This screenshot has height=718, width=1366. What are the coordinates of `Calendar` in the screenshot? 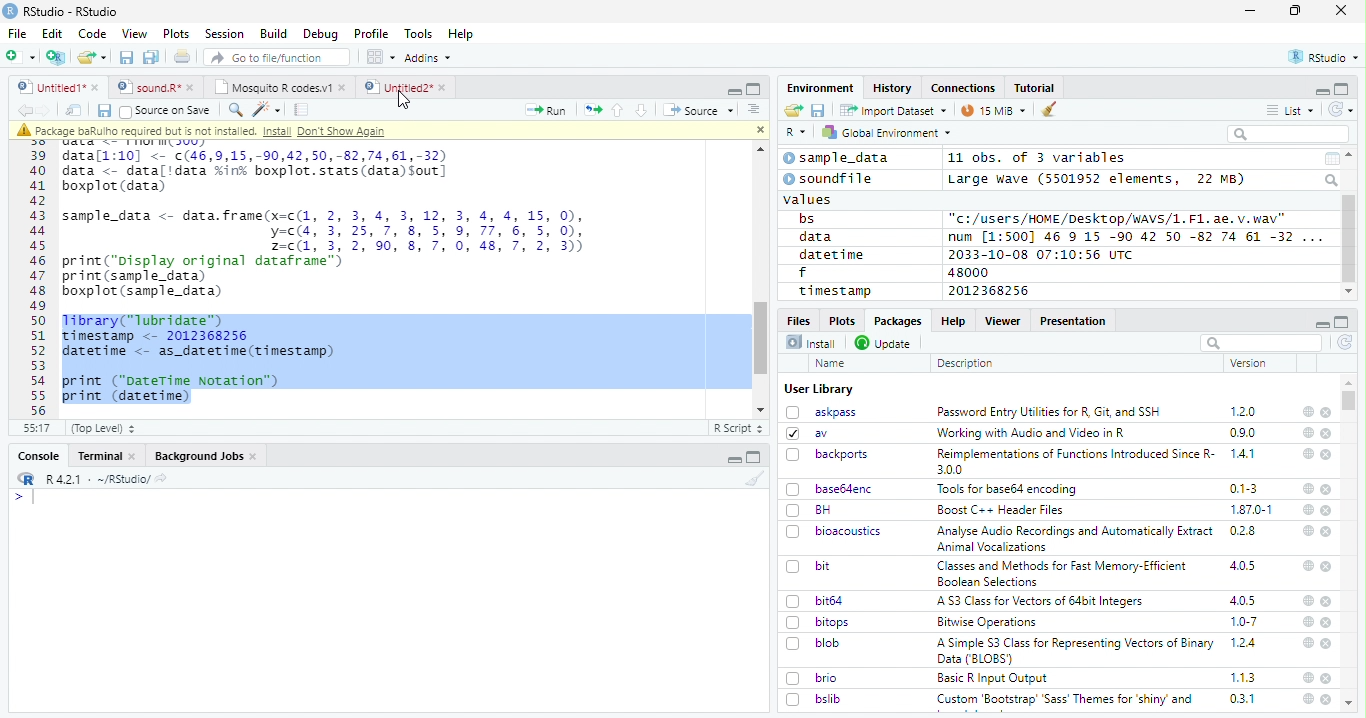 It's located at (1331, 159).